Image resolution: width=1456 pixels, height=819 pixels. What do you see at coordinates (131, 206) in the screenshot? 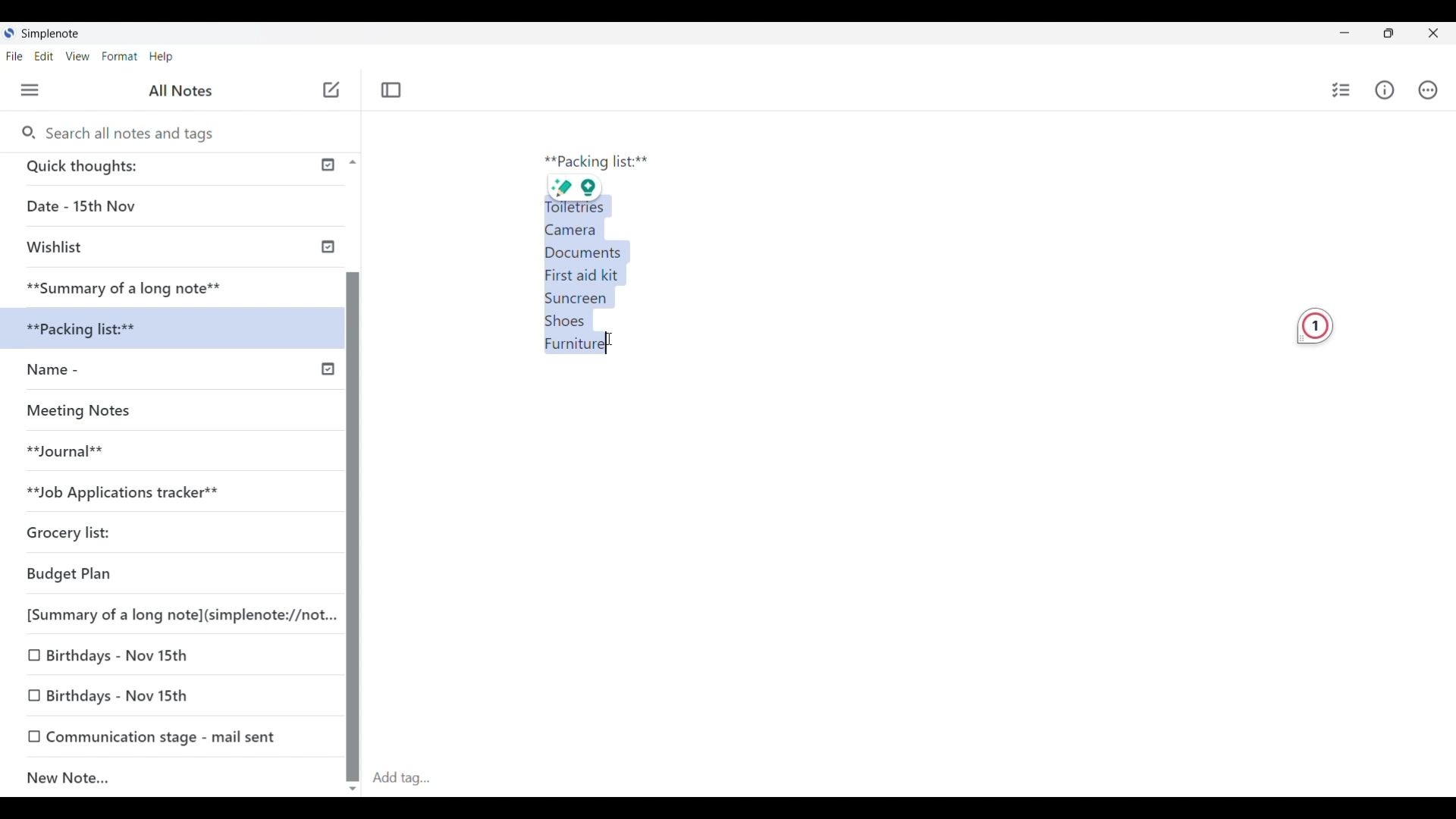
I see `Date - 15th Nov` at bounding box center [131, 206].